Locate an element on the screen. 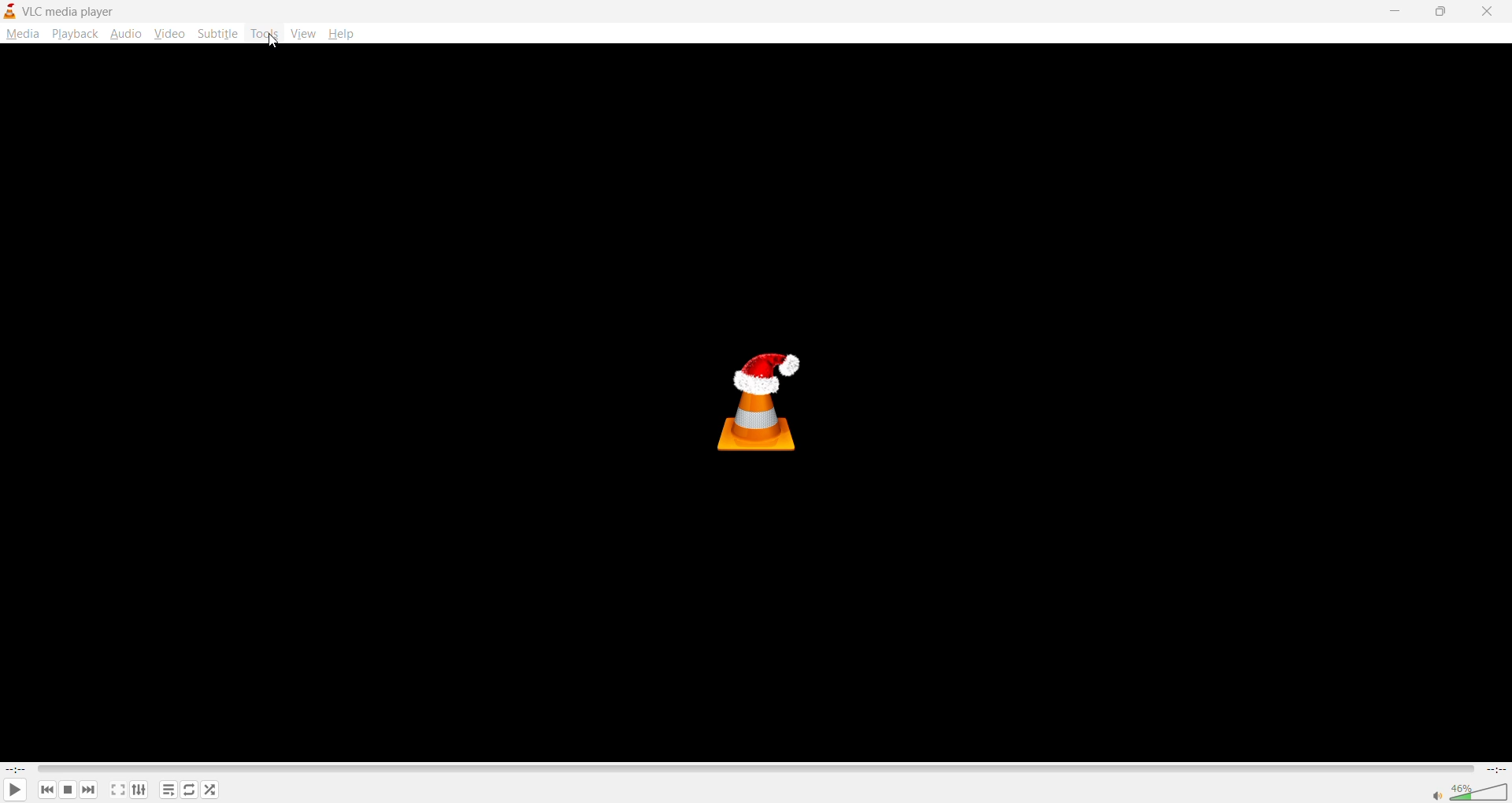 This screenshot has height=803, width=1512. view is located at coordinates (302, 31).